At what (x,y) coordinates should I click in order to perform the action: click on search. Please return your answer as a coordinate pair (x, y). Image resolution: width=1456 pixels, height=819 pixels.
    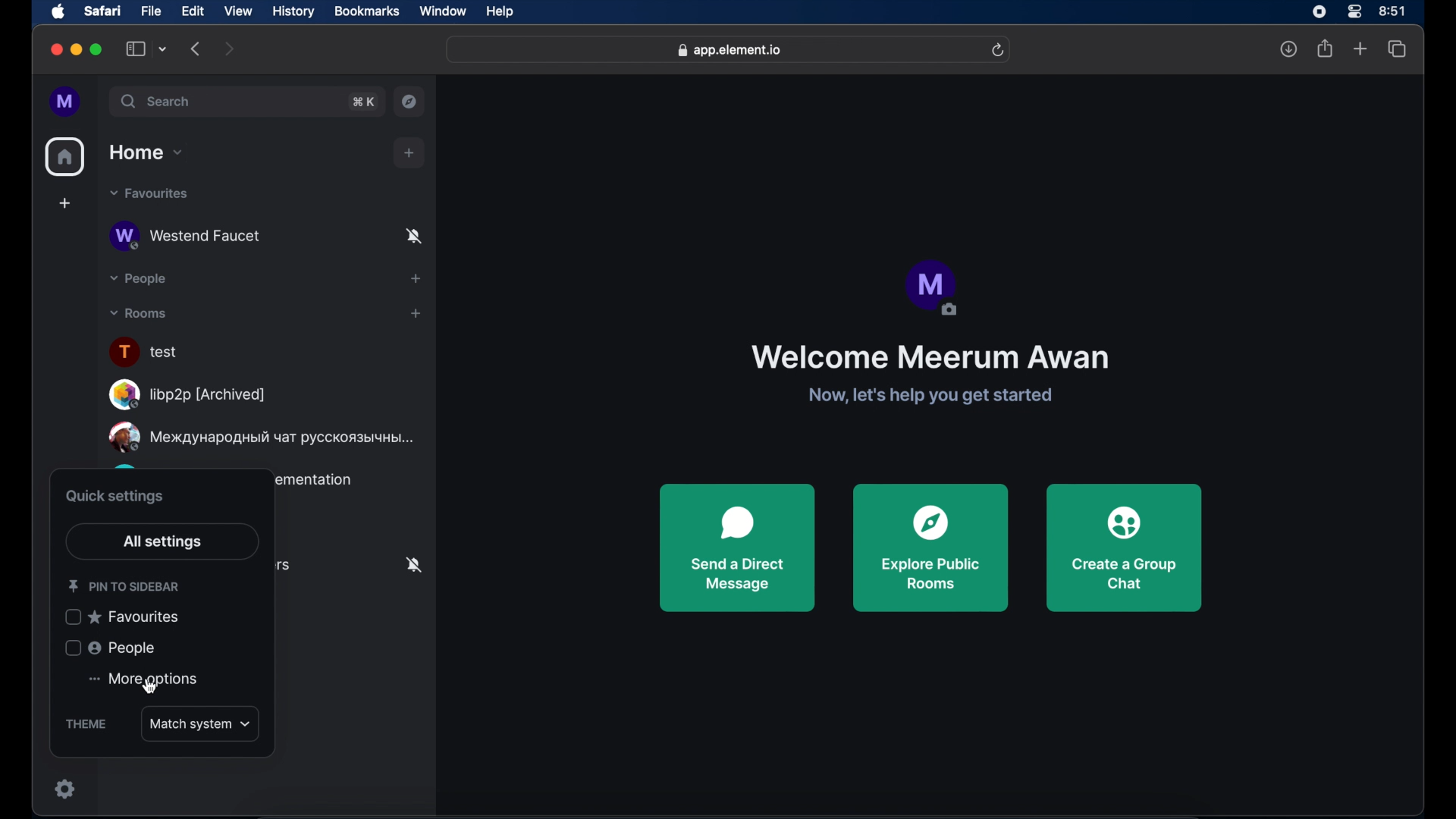
    Looking at the image, I should click on (155, 101).